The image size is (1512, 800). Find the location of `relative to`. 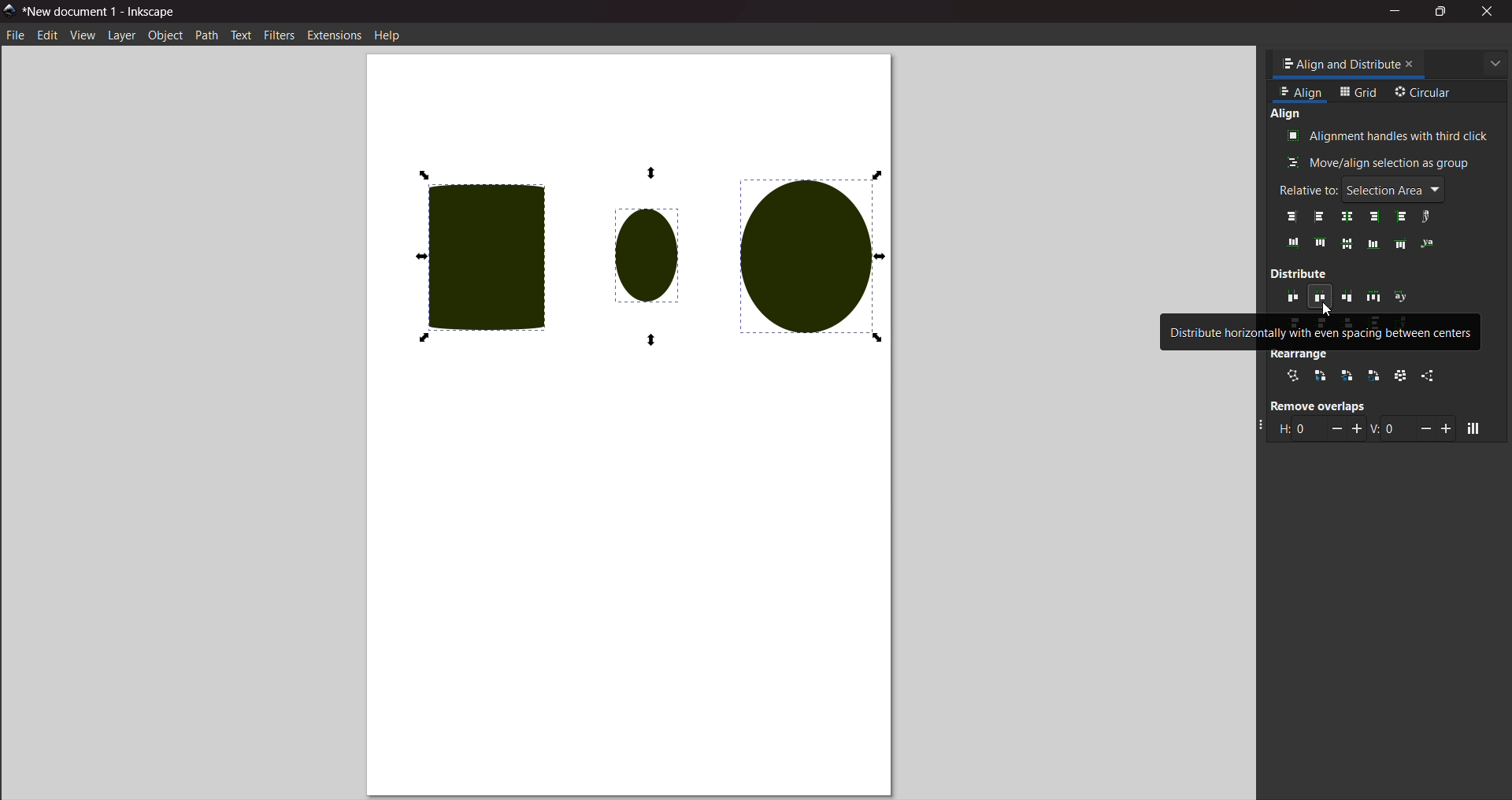

relative to is located at coordinates (1306, 191).